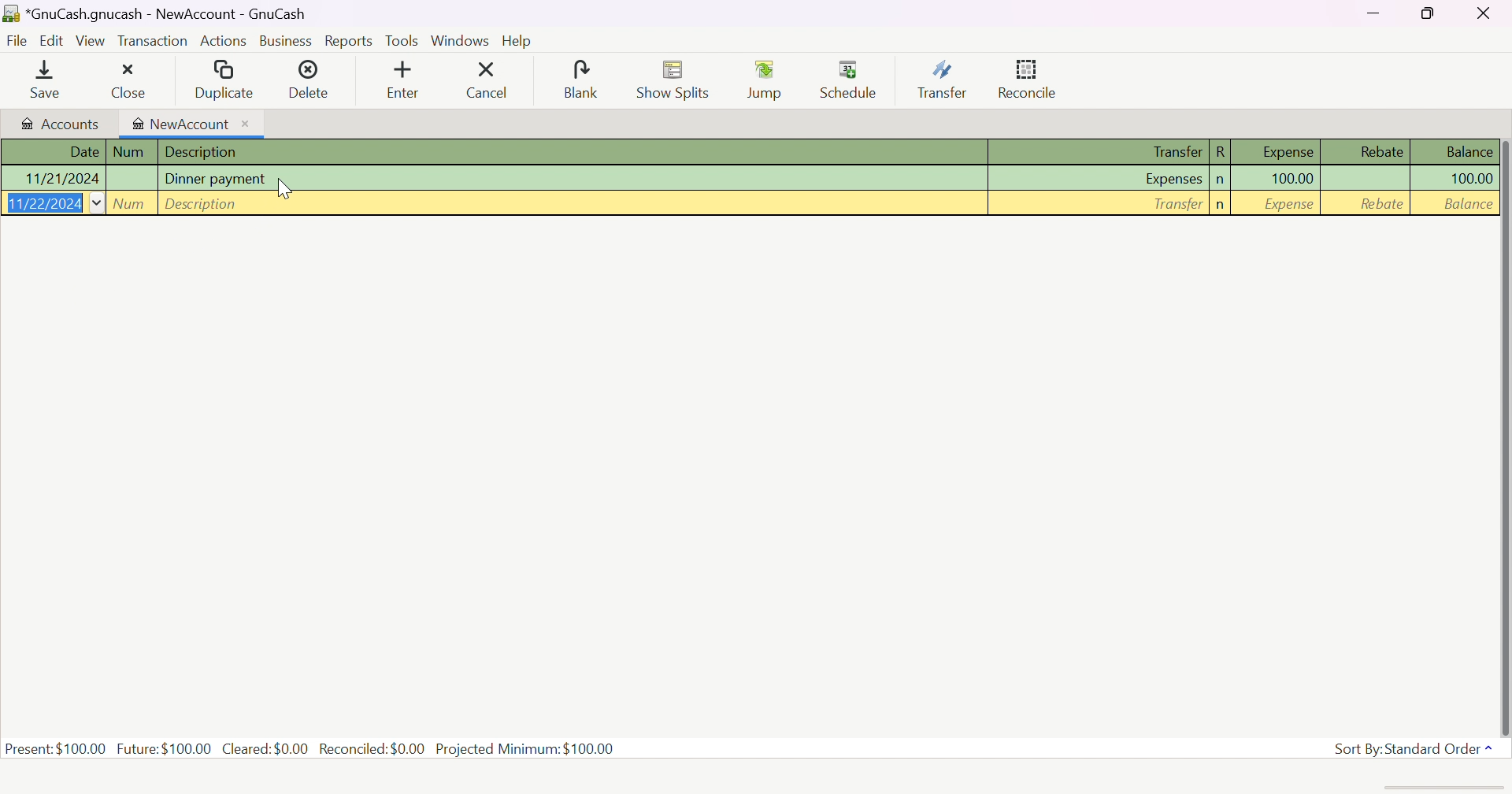  I want to click on Expense, so click(1281, 204).